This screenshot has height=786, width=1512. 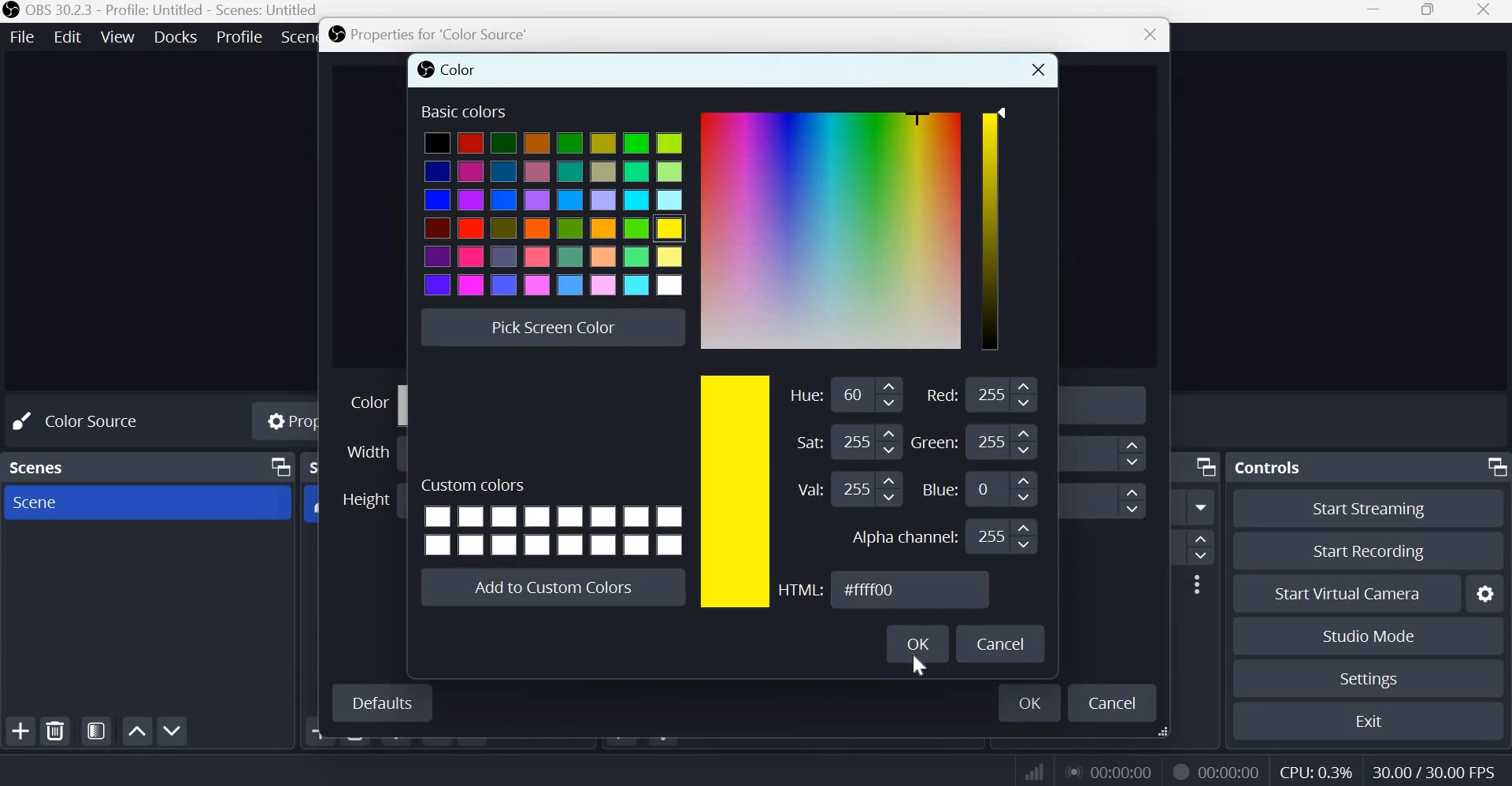 What do you see at coordinates (1032, 772) in the screenshot?
I see `Connection Status Indicator` at bounding box center [1032, 772].